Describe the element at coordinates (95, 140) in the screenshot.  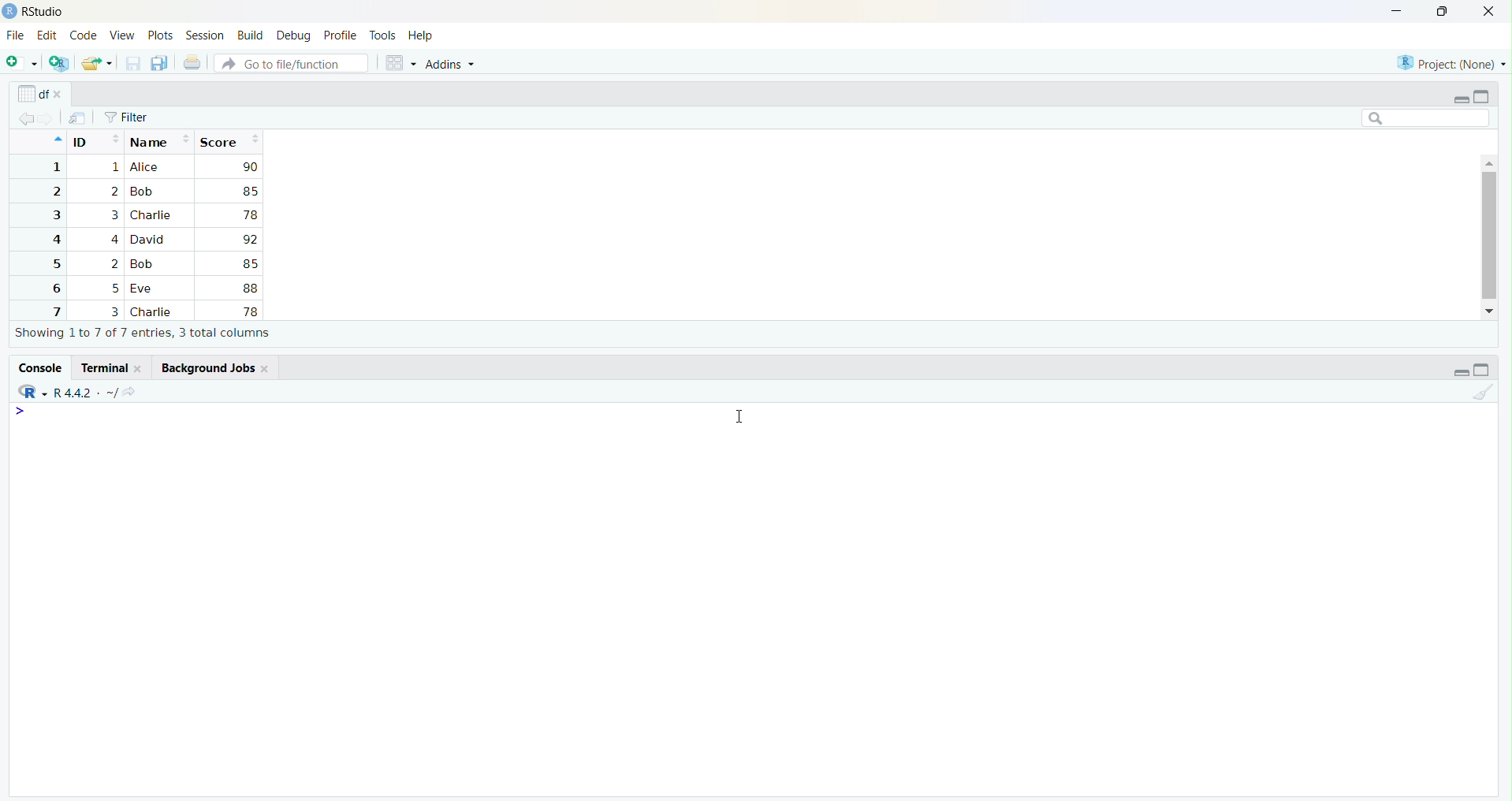
I see `ID` at that location.